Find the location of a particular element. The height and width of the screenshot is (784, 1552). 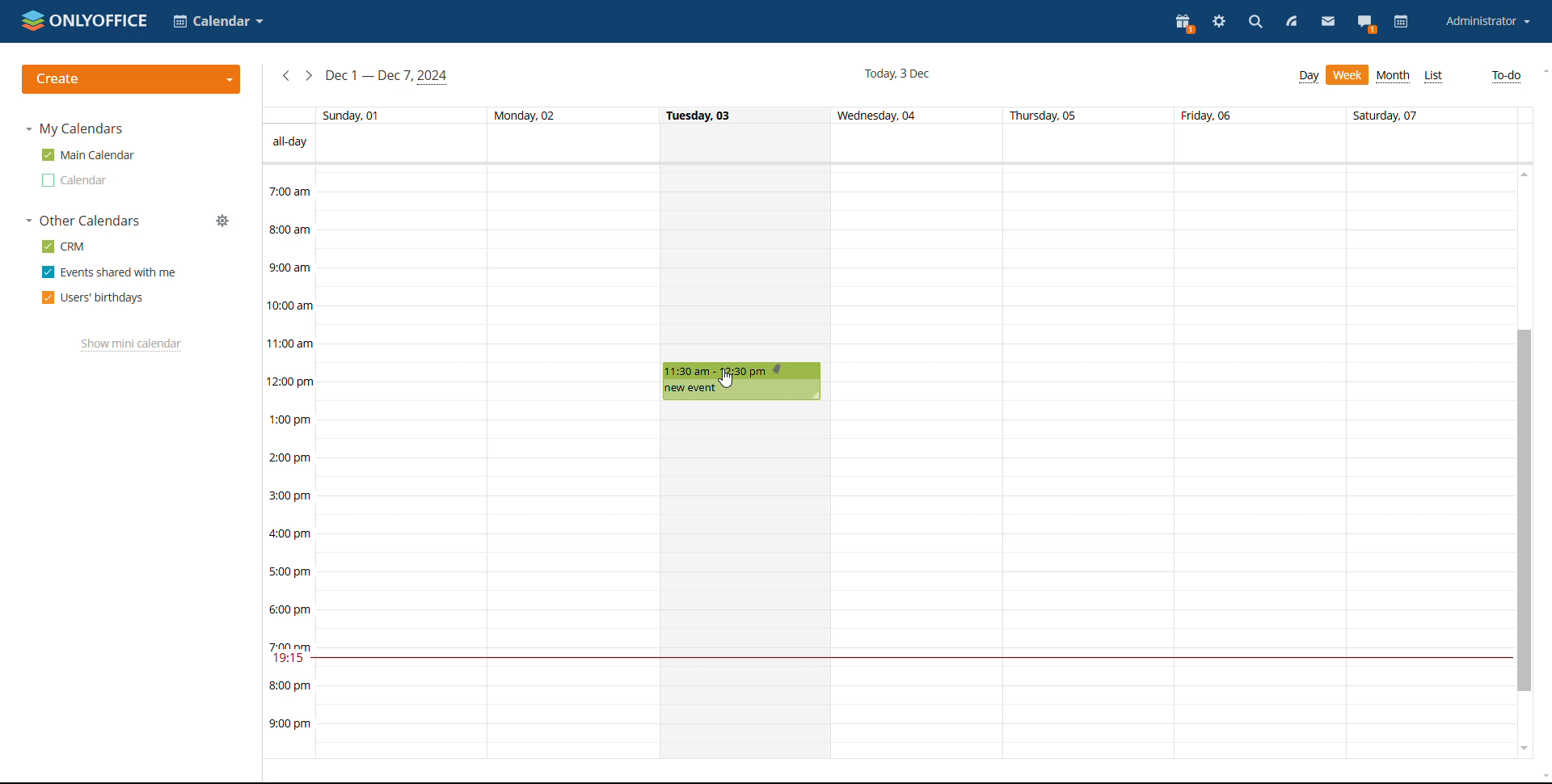

Tuesday, 03 is located at coordinates (701, 114).